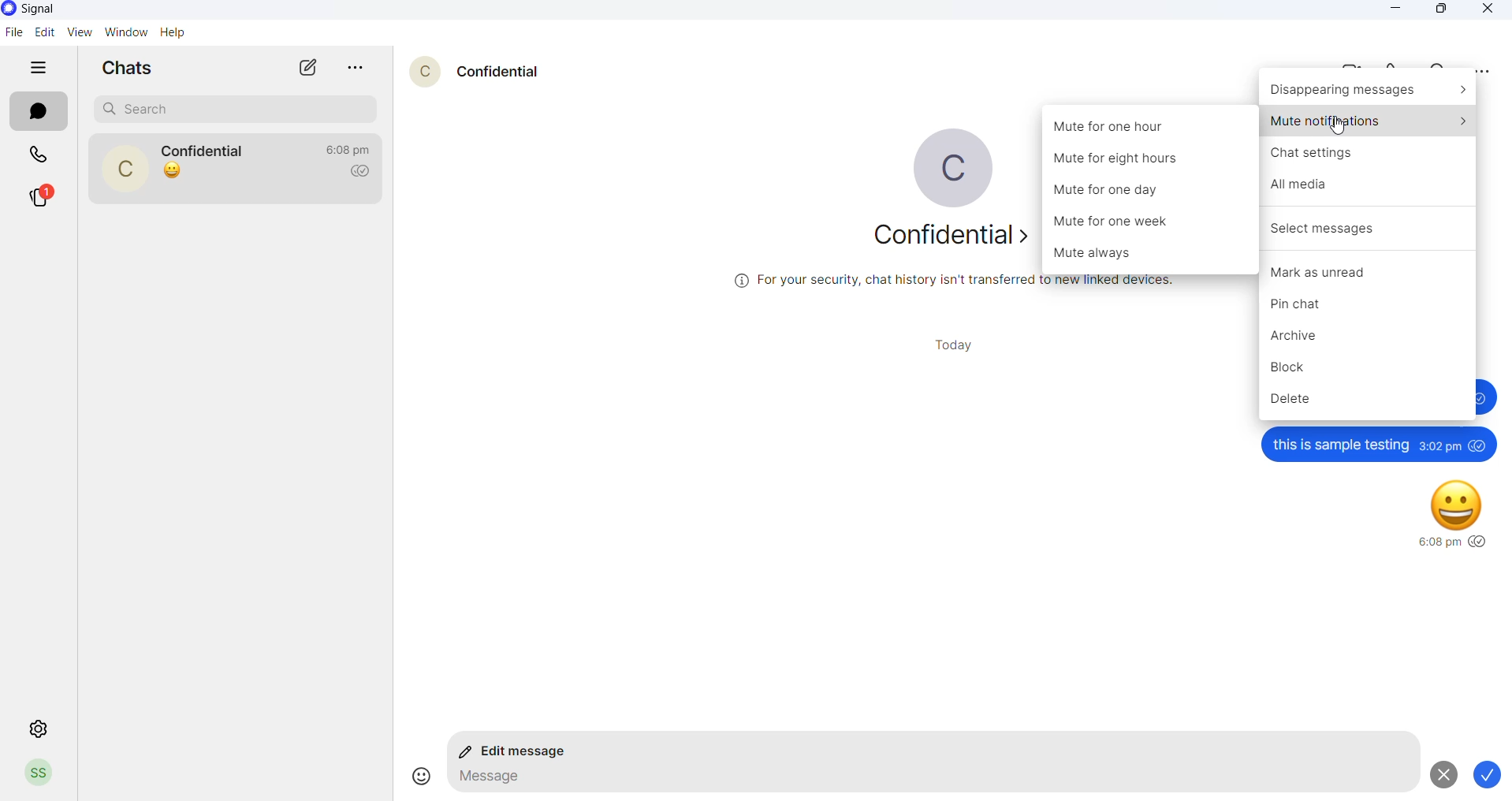  Describe the element at coordinates (1369, 403) in the screenshot. I see `delete` at that location.